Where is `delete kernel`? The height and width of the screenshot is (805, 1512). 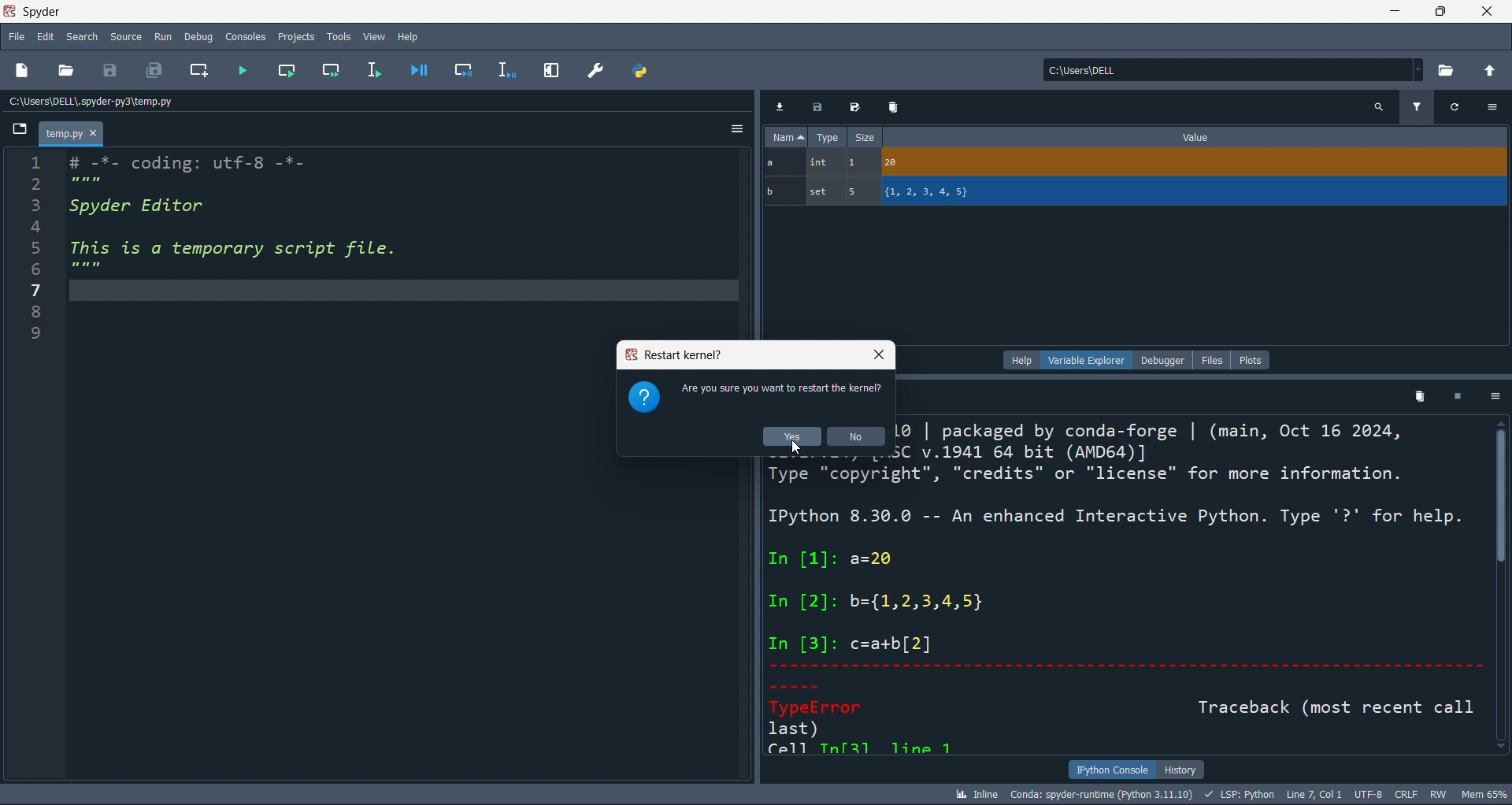 delete kernel is located at coordinates (1421, 399).